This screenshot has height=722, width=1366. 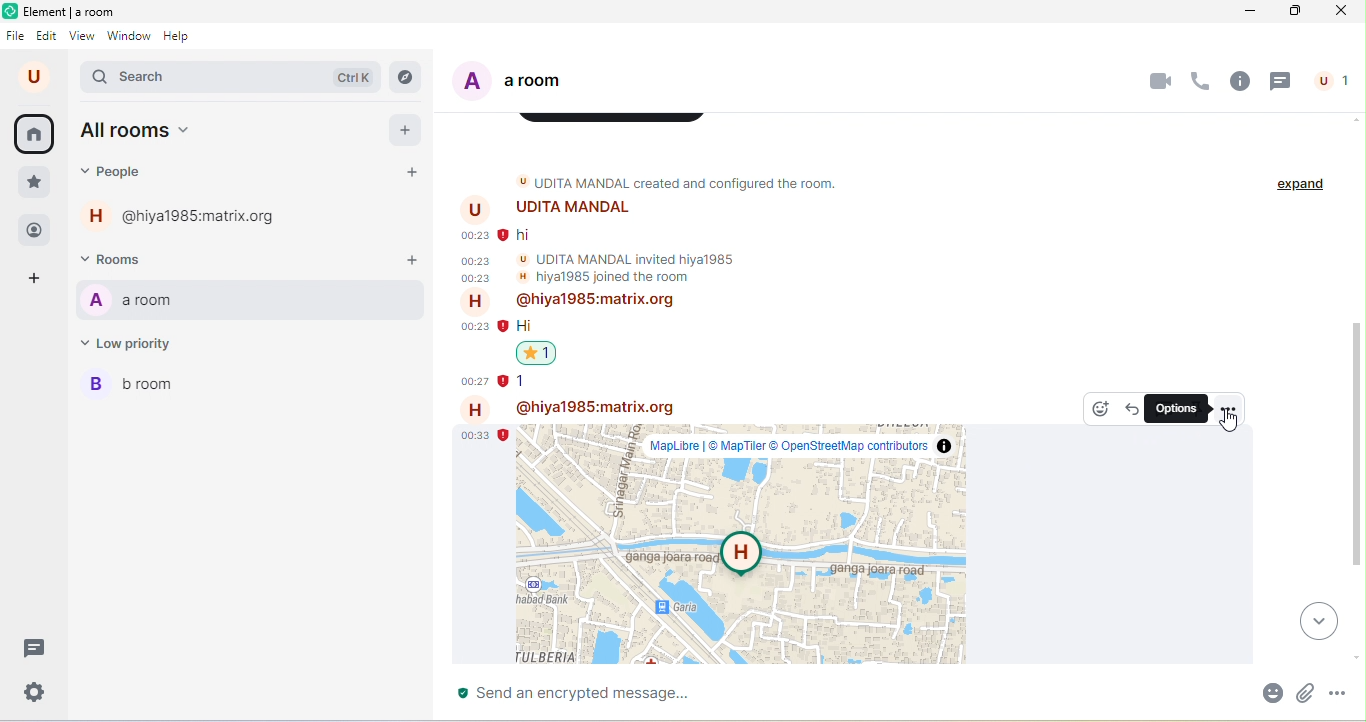 What do you see at coordinates (1246, 11) in the screenshot?
I see `minimize` at bounding box center [1246, 11].